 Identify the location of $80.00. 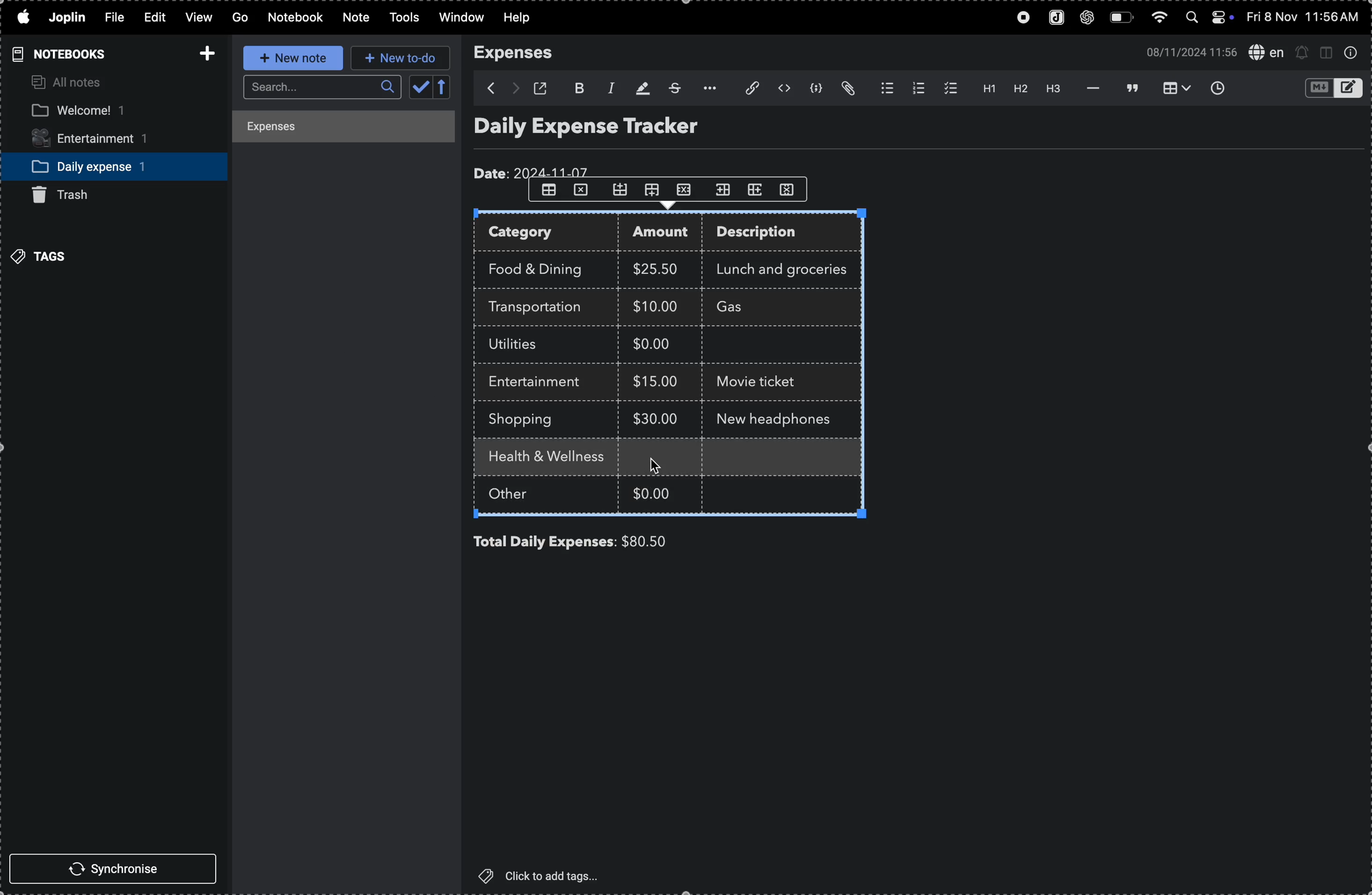
(664, 541).